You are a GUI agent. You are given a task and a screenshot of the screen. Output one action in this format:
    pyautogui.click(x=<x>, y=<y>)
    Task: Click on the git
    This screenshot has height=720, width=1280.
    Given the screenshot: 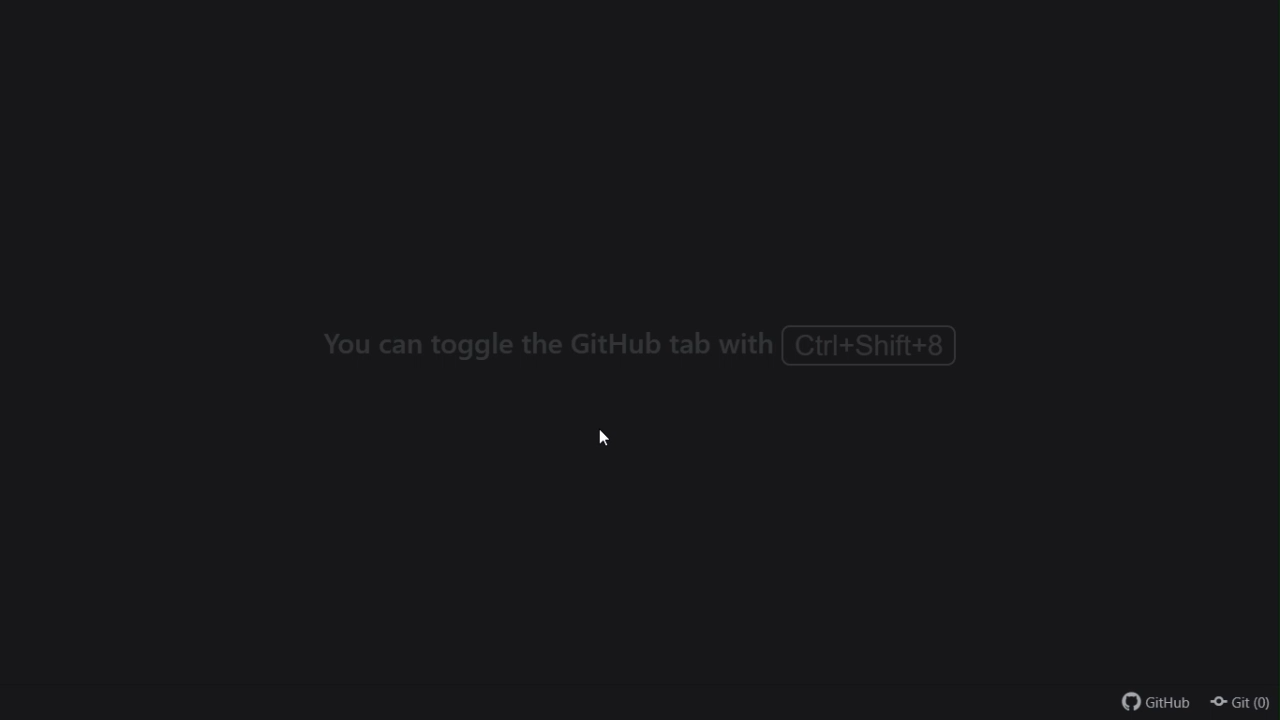 What is the action you would take?
    pyautogui.click(x=1242, y=703)
    